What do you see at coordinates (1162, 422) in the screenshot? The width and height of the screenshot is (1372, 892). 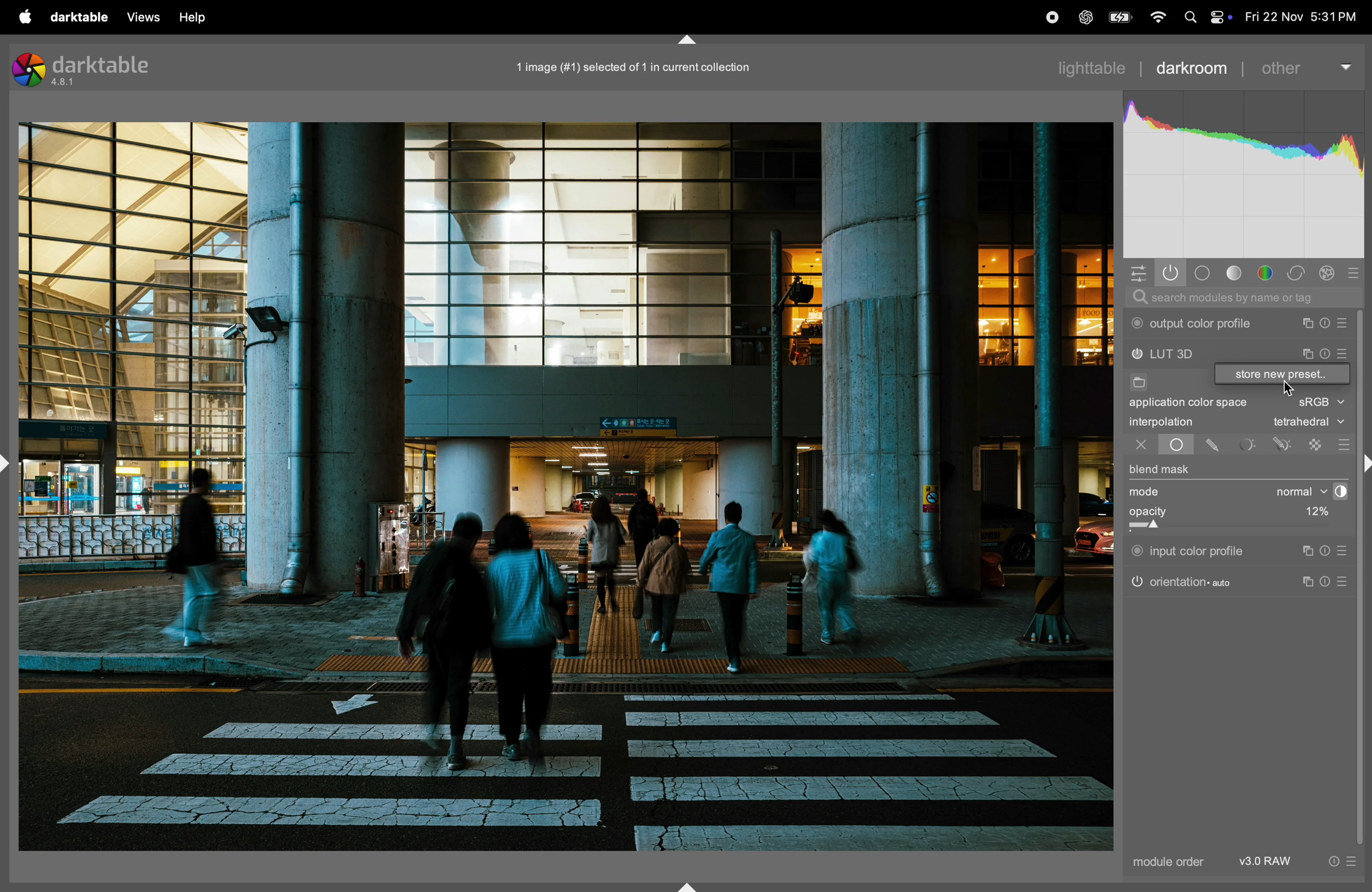 I see `interpolation` at bounding box center [1162, 422].